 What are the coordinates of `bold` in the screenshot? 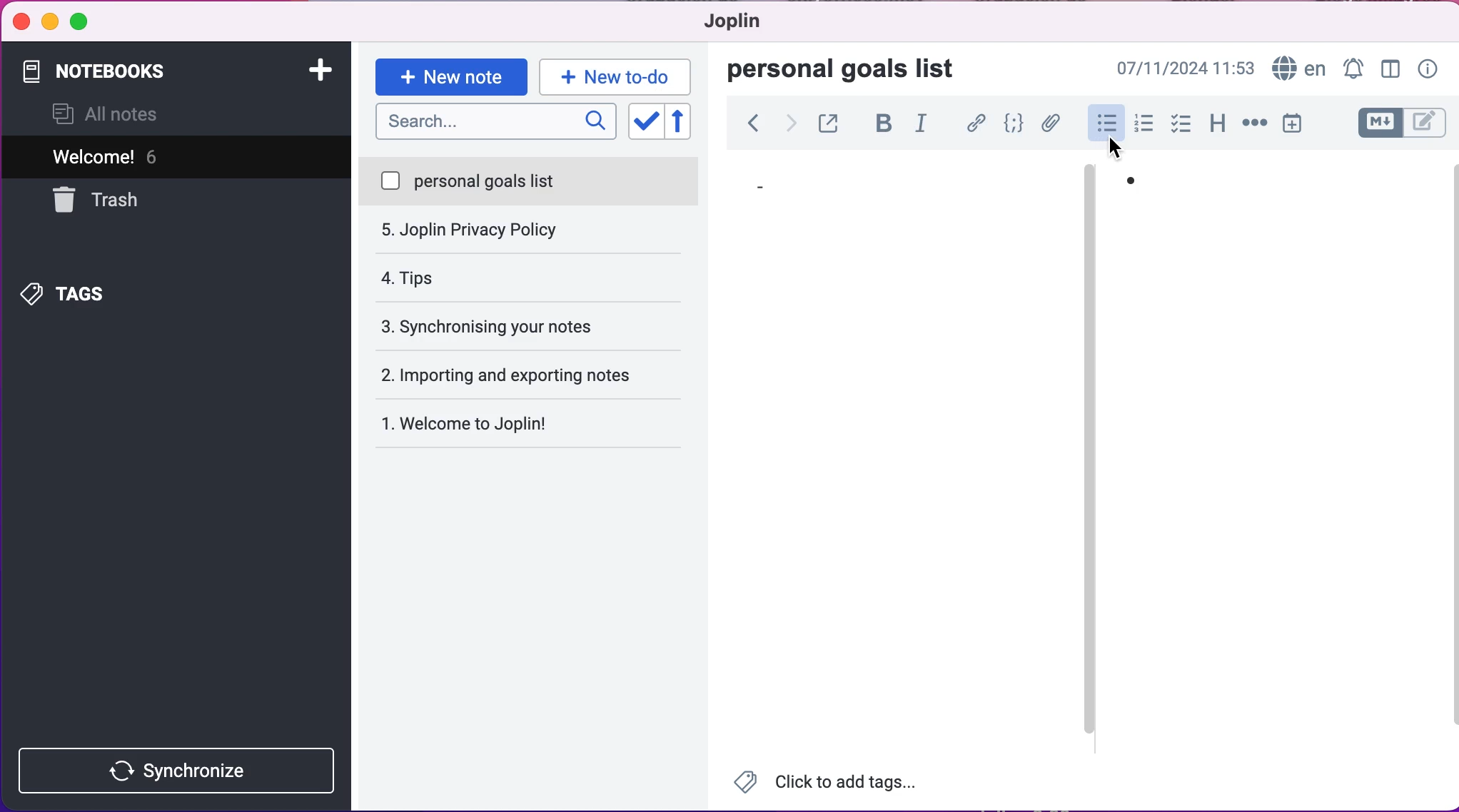 It's located at (880, 126).